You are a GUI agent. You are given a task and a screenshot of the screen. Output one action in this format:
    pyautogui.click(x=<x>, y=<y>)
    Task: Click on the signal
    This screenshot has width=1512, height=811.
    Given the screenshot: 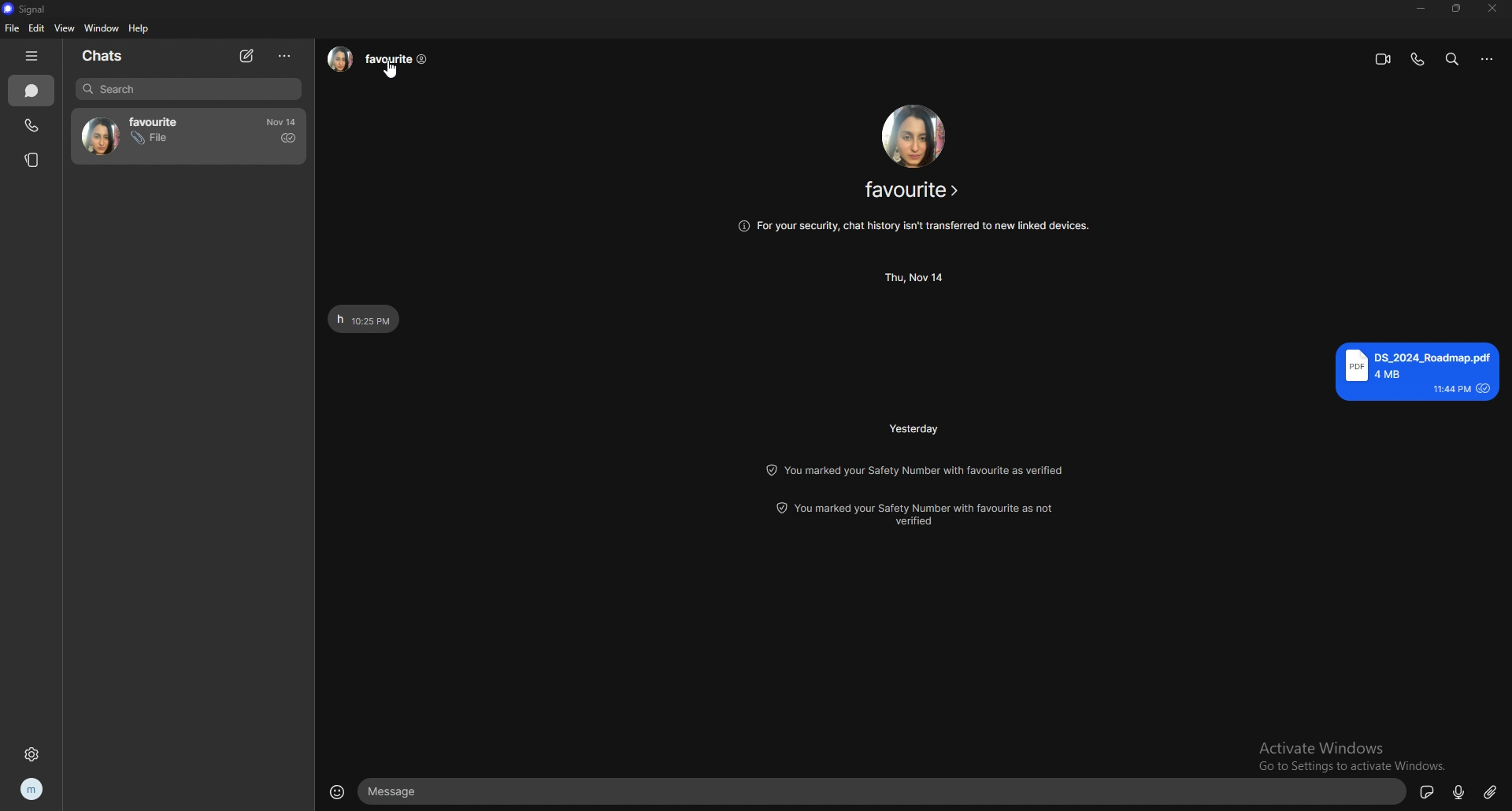 What is the action you would take?
    pyautogui.click(x=29, y=9)
    